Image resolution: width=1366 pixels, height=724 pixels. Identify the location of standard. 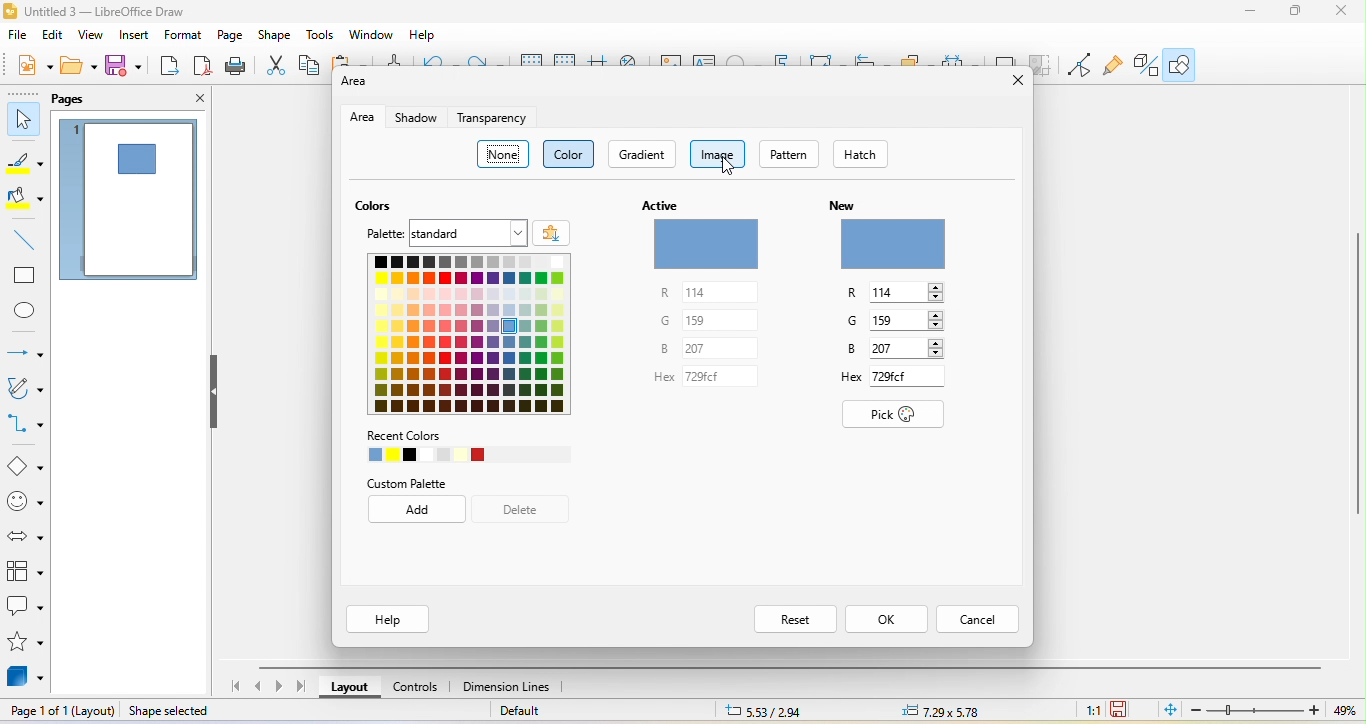
(468, 233).